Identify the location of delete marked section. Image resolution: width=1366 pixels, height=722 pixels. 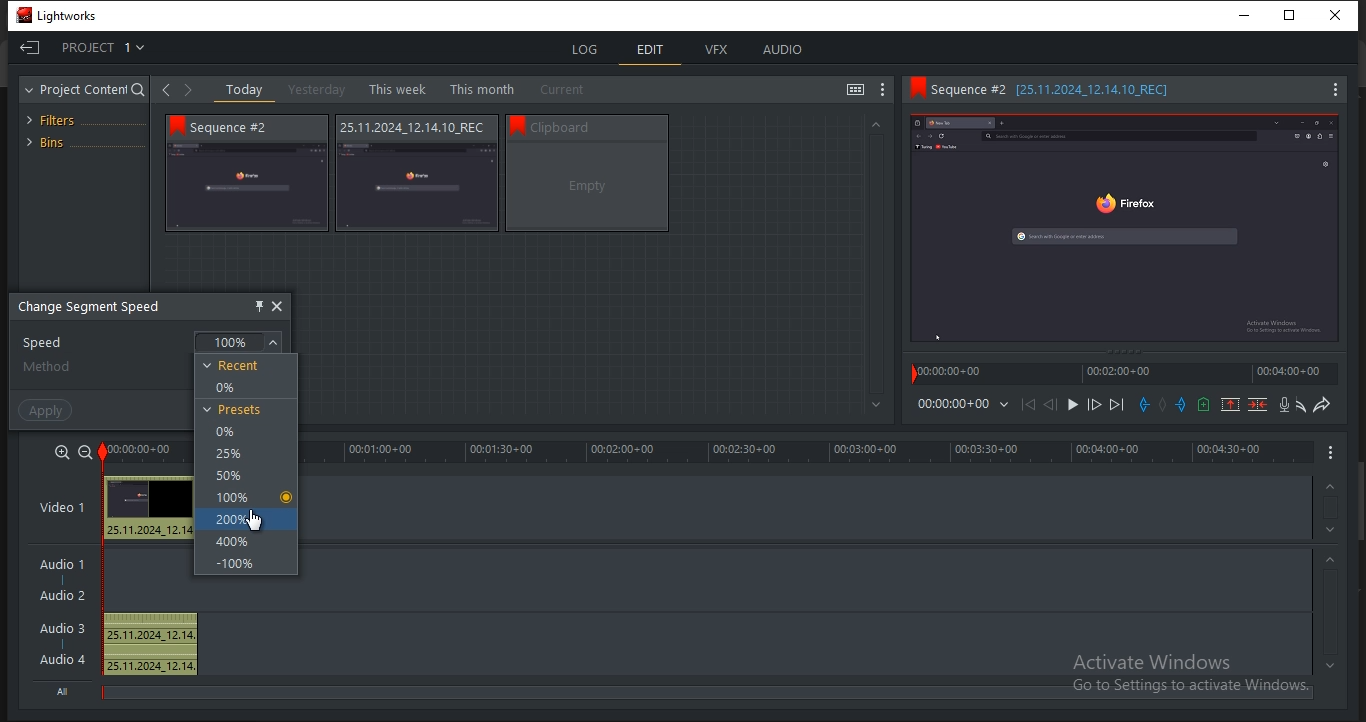
(1258, 405).